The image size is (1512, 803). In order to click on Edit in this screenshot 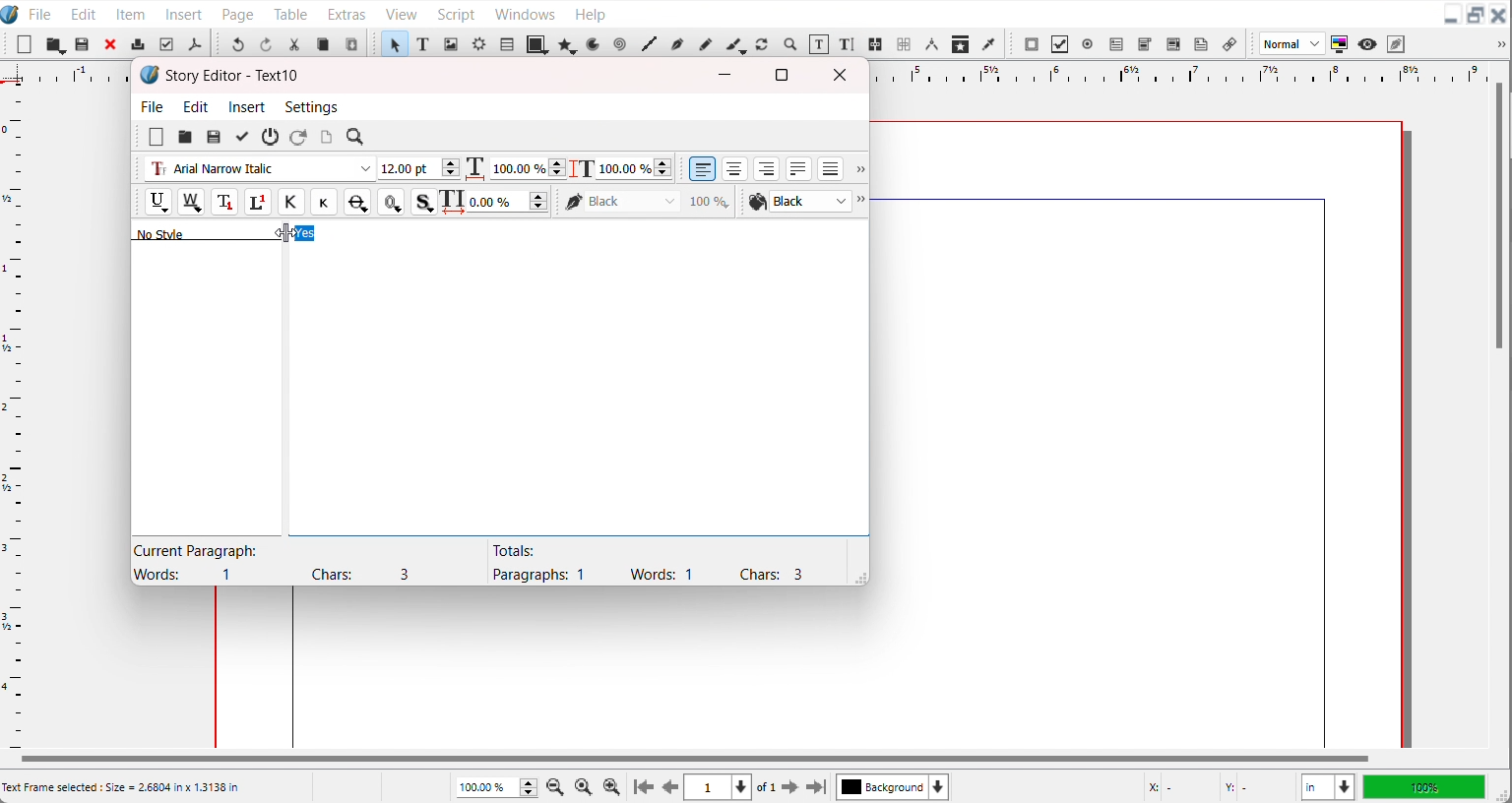, I will do `click(197, 106)`.